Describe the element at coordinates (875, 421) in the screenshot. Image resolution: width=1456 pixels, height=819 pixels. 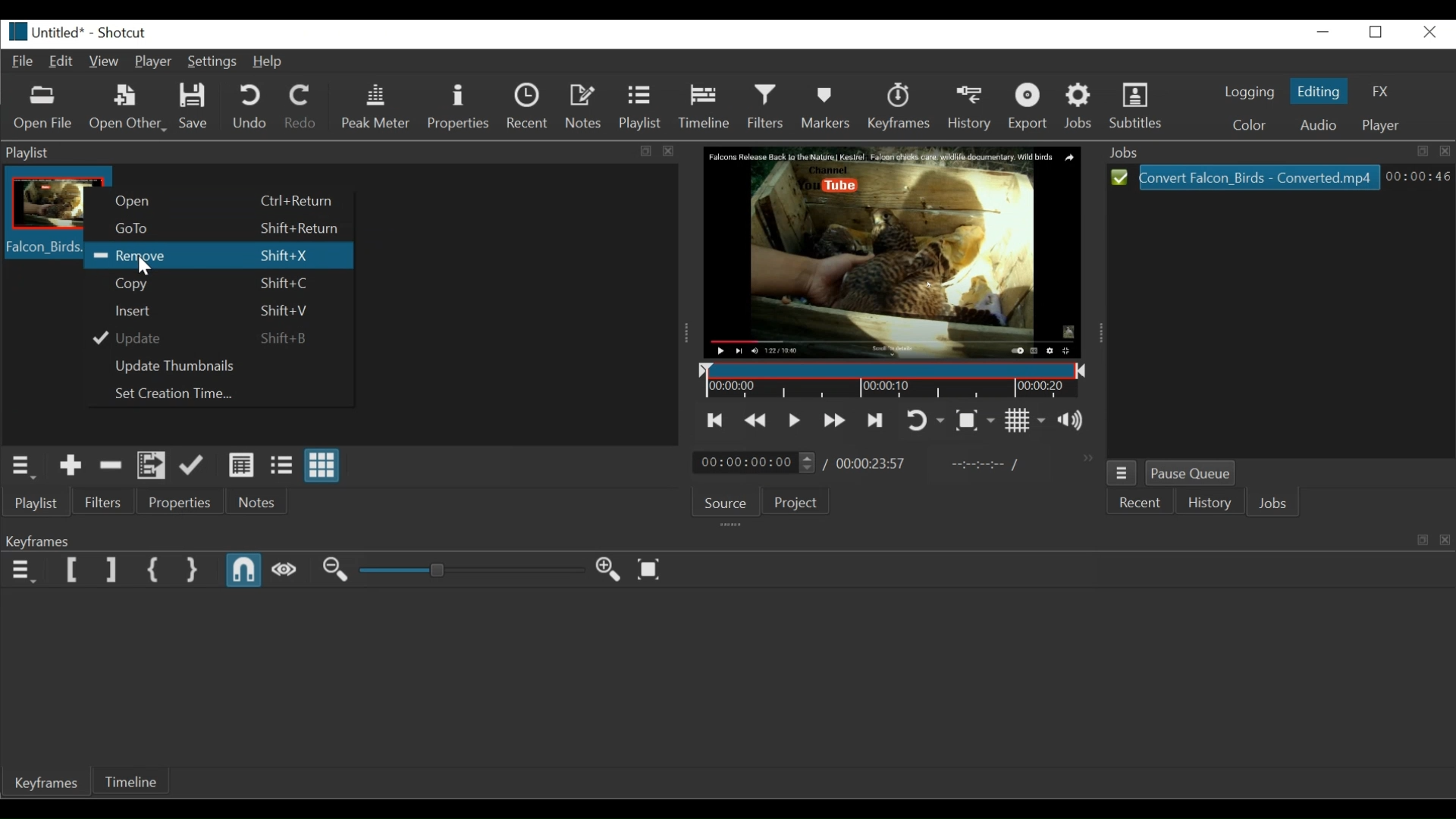
I see `Skip to the next point` at that location.